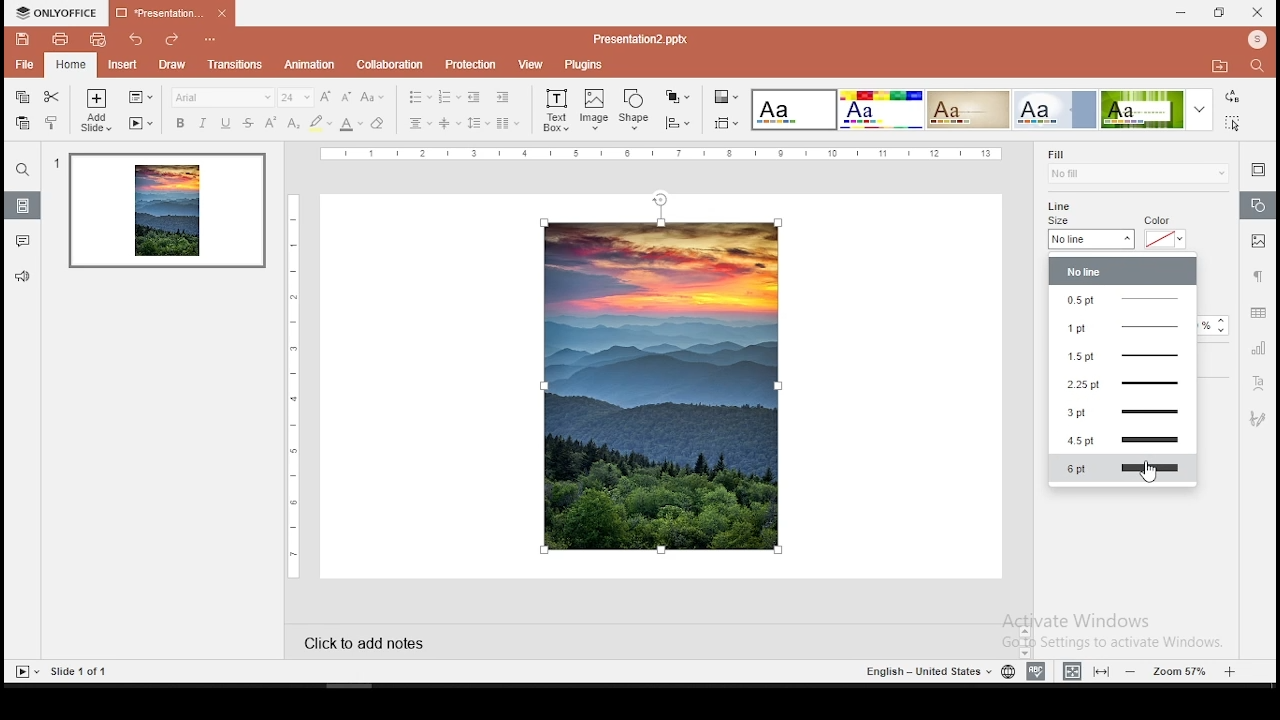 The width and height of the screenshot is (1280, 720). I want to click on 1pt, so click(1123, 326).